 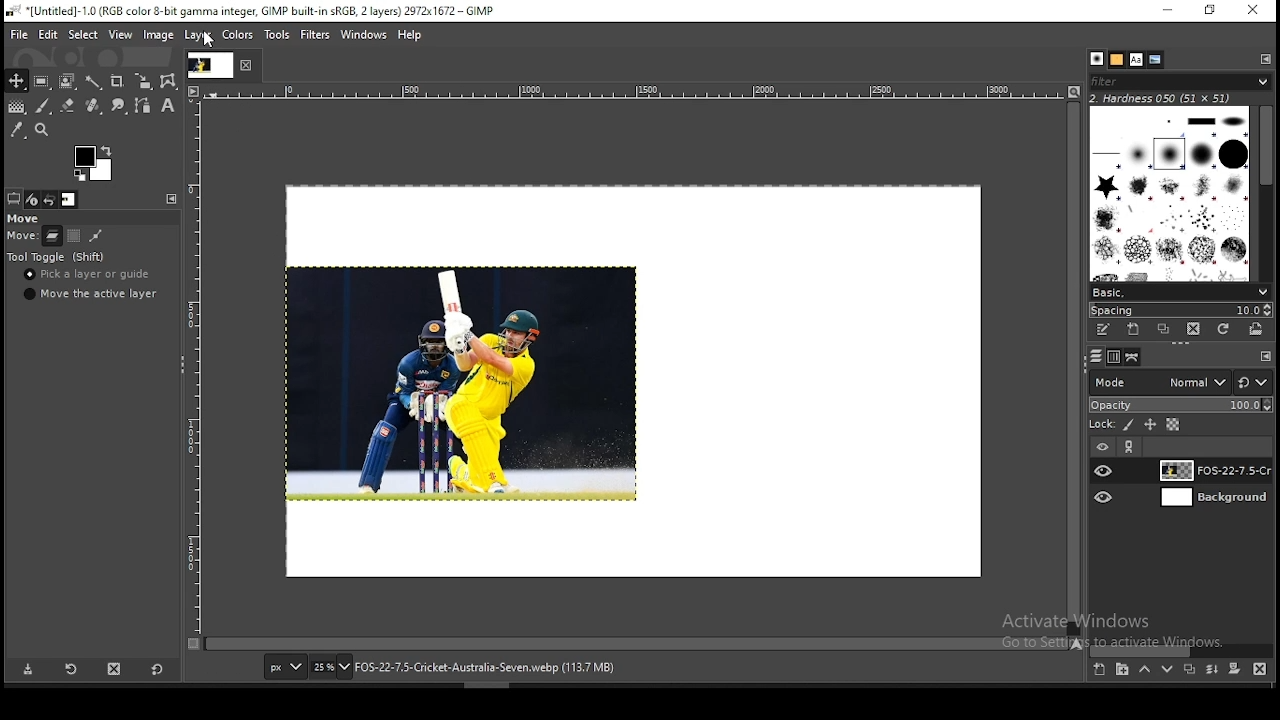 I want to click on merge layer, so click(x=1212, y=669).